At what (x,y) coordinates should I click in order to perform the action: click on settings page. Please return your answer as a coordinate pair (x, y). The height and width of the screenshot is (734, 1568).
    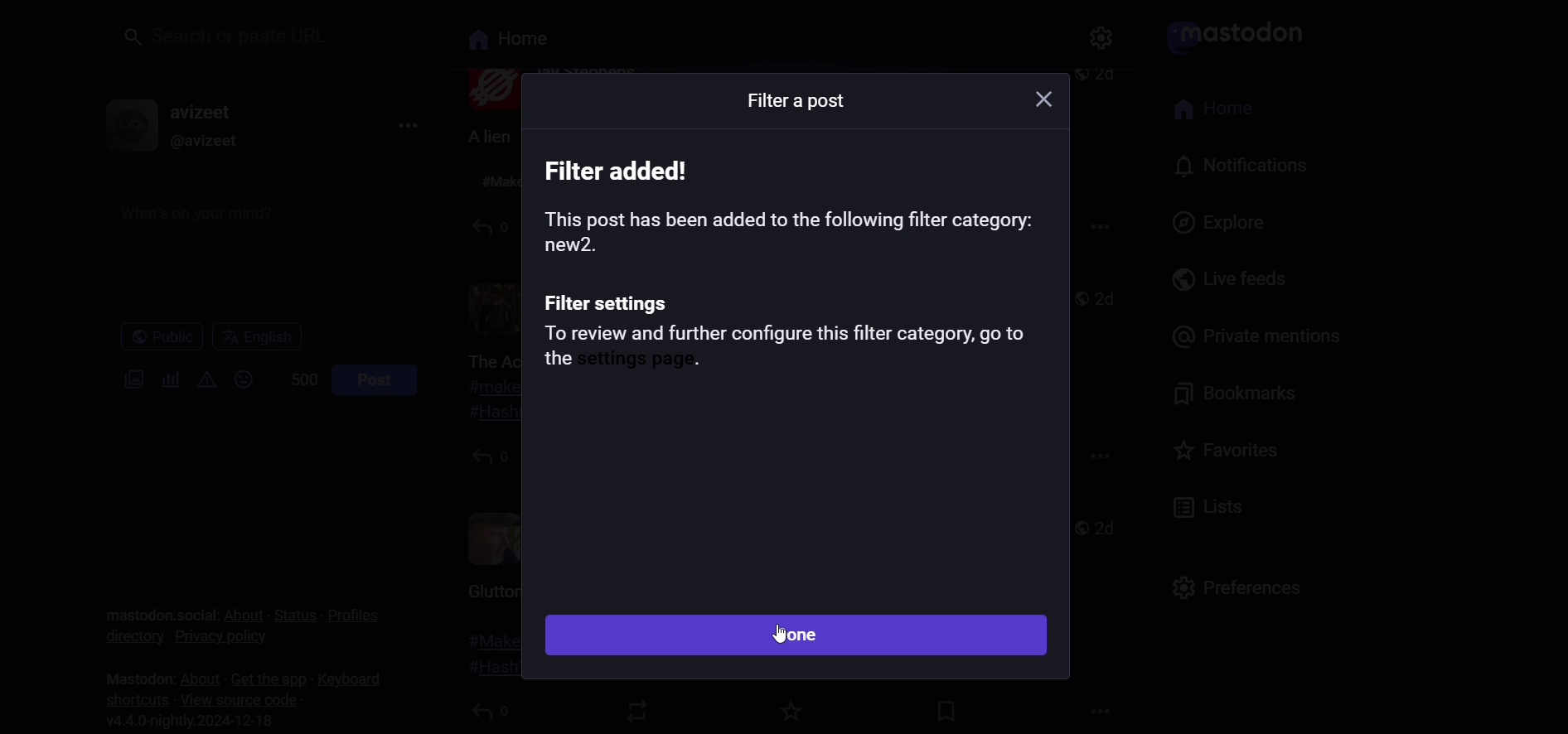
    Looking at the image, I should click on (646, 362).